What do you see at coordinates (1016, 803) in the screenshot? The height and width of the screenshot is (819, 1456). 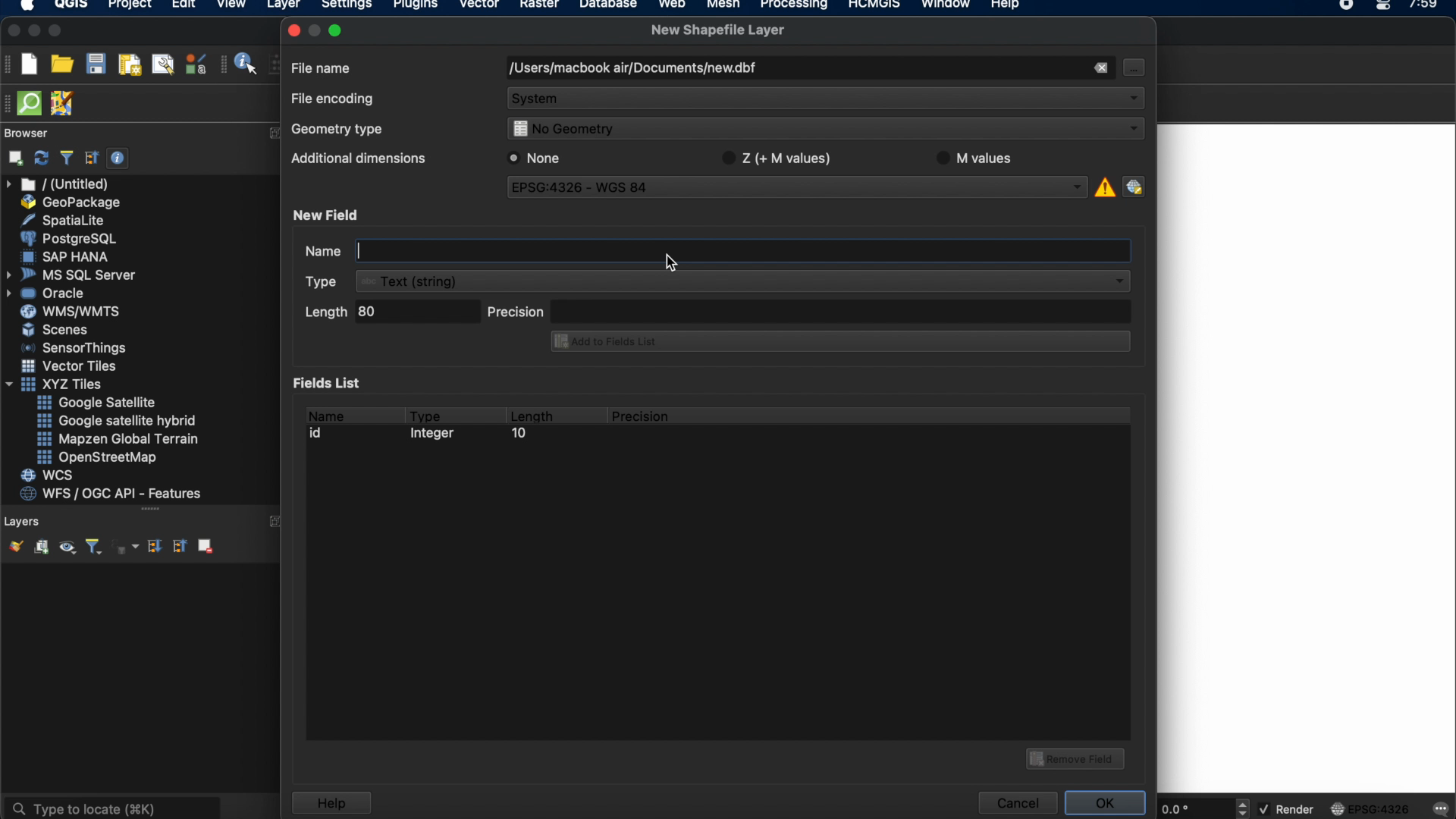 I see `cancel` at bounding box center [1016, 803].